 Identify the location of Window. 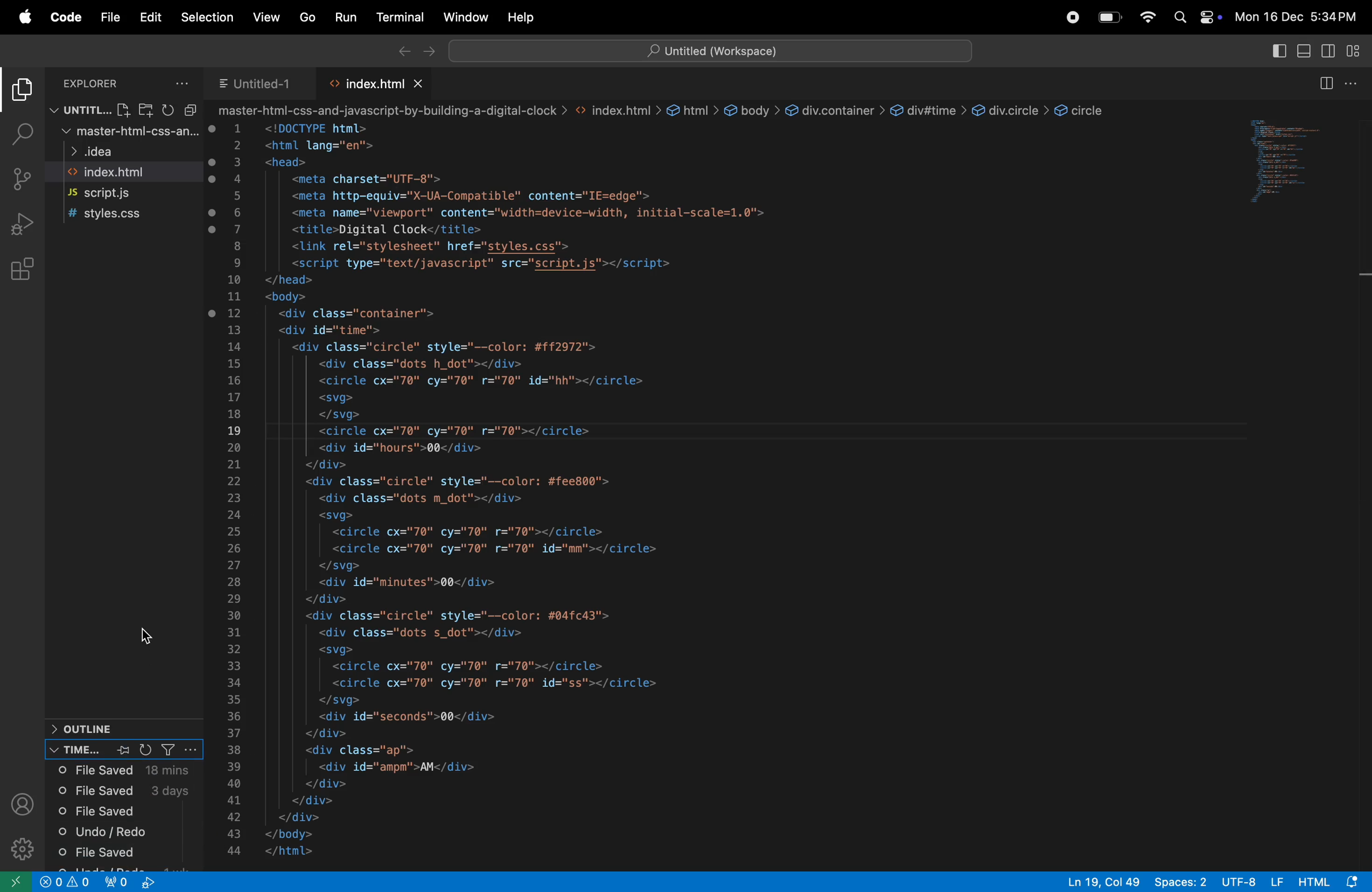
(467, 16).